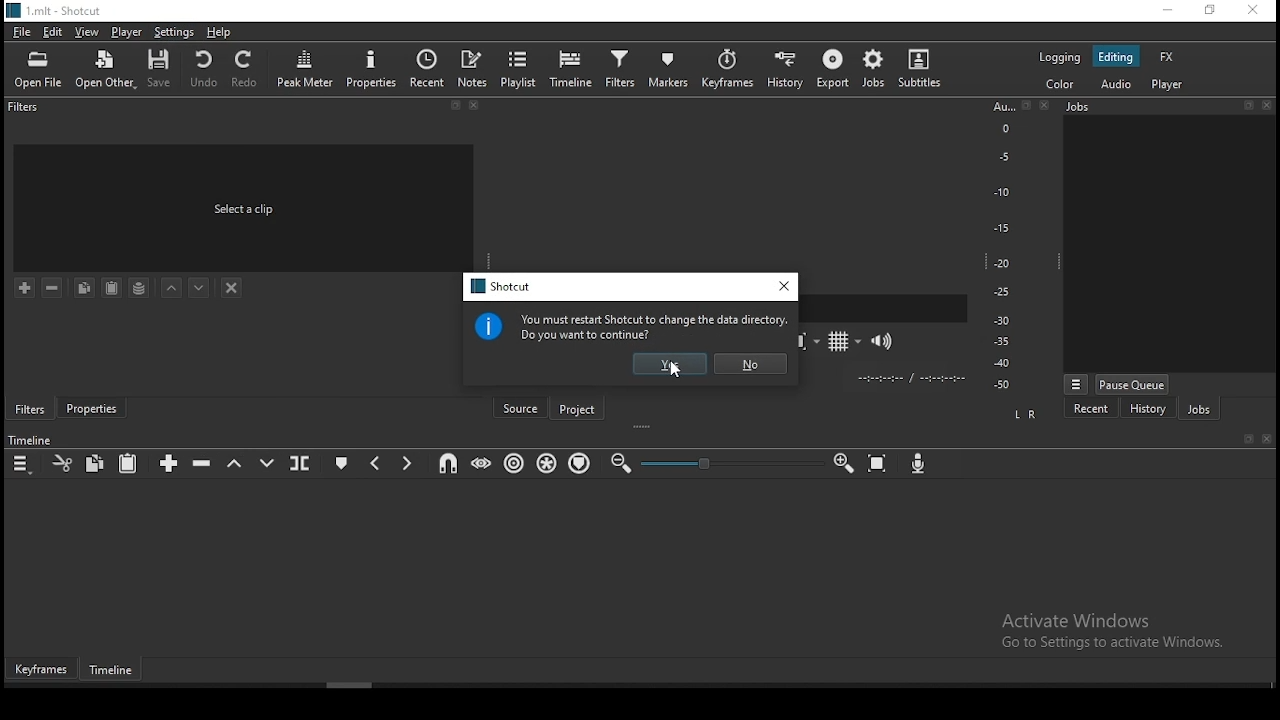 This screenshot has width=1280, height=720. What do you see at coordinates (265, 461) in the screenshot?
I see `overwrite` at bounding box center [265, 461].